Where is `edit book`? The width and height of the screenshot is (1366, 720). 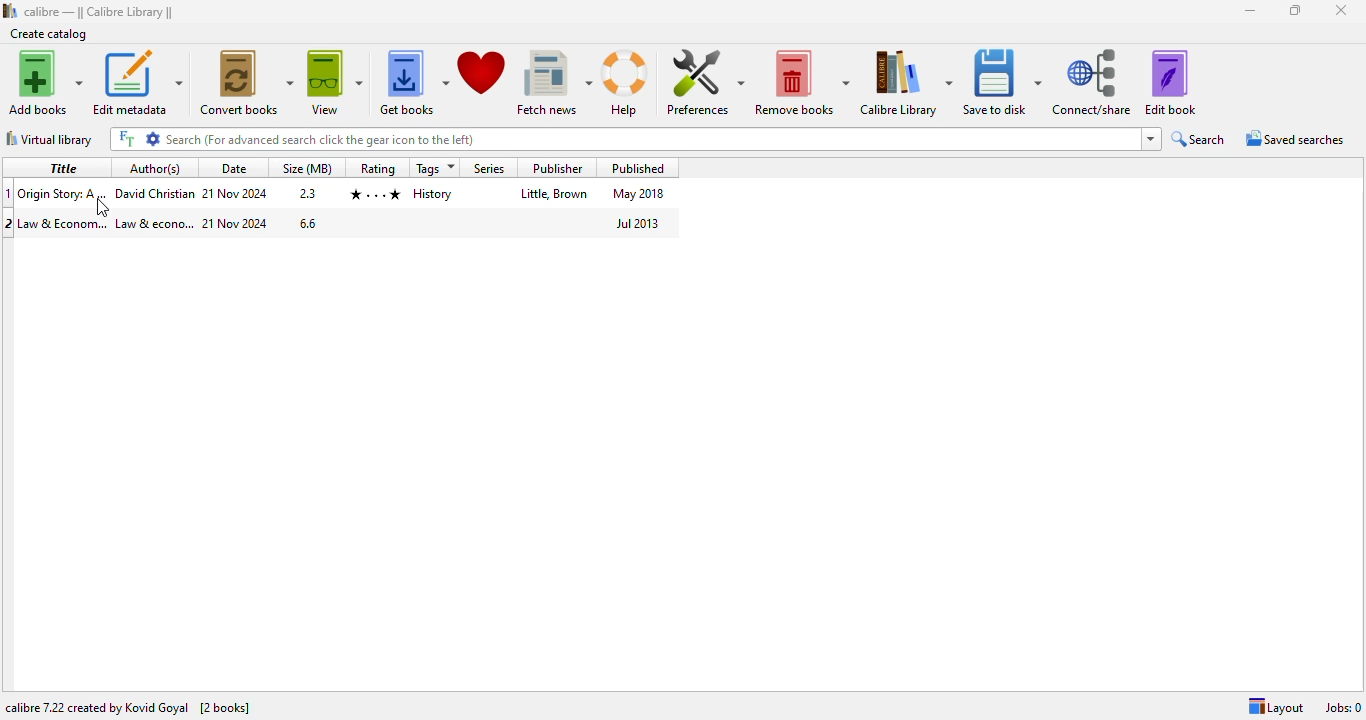
edit book is located at coordinates (1170, 83).